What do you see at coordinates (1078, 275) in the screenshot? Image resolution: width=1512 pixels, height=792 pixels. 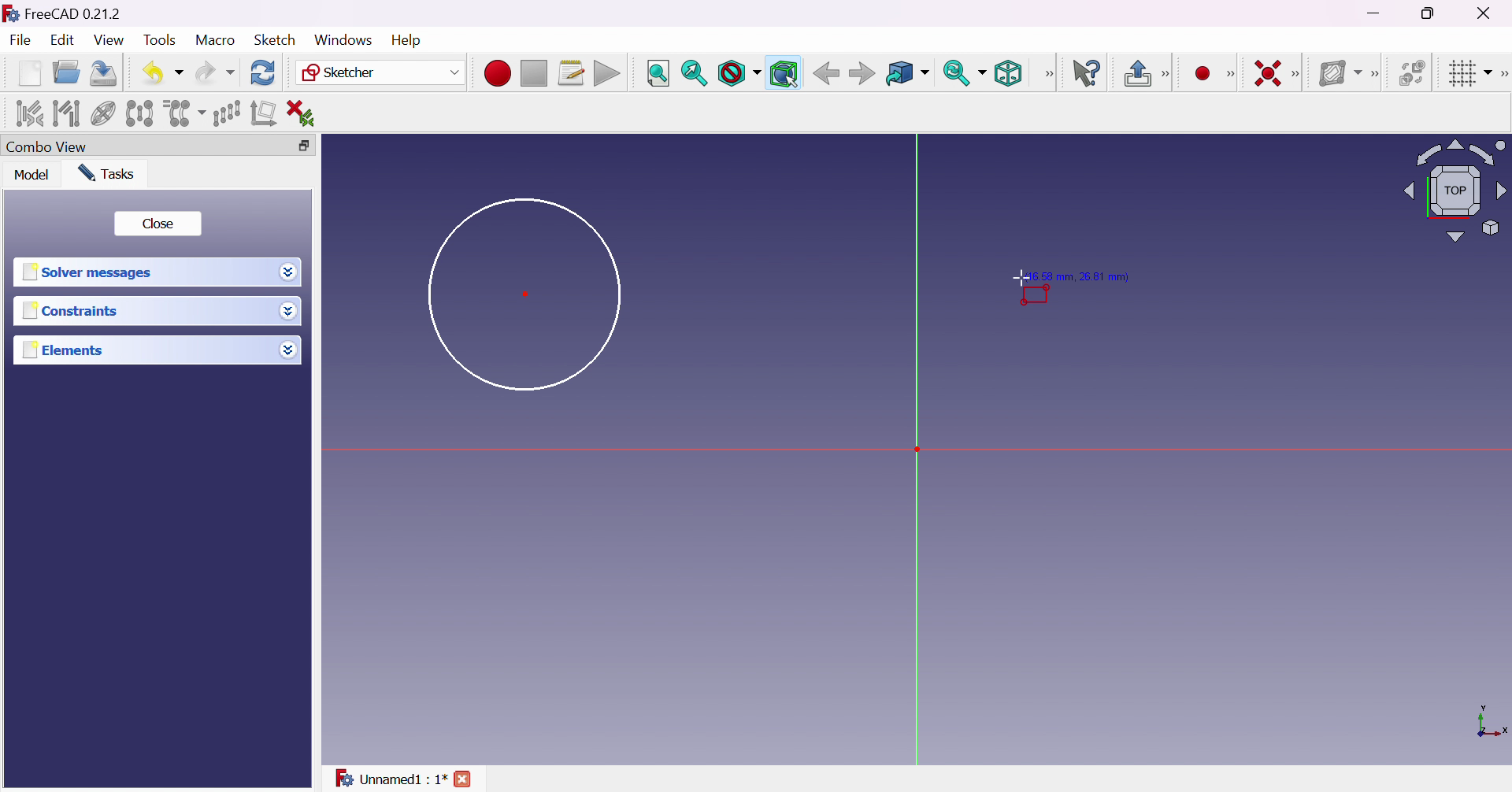 I see `Position` at bounding box center [1078, 275].